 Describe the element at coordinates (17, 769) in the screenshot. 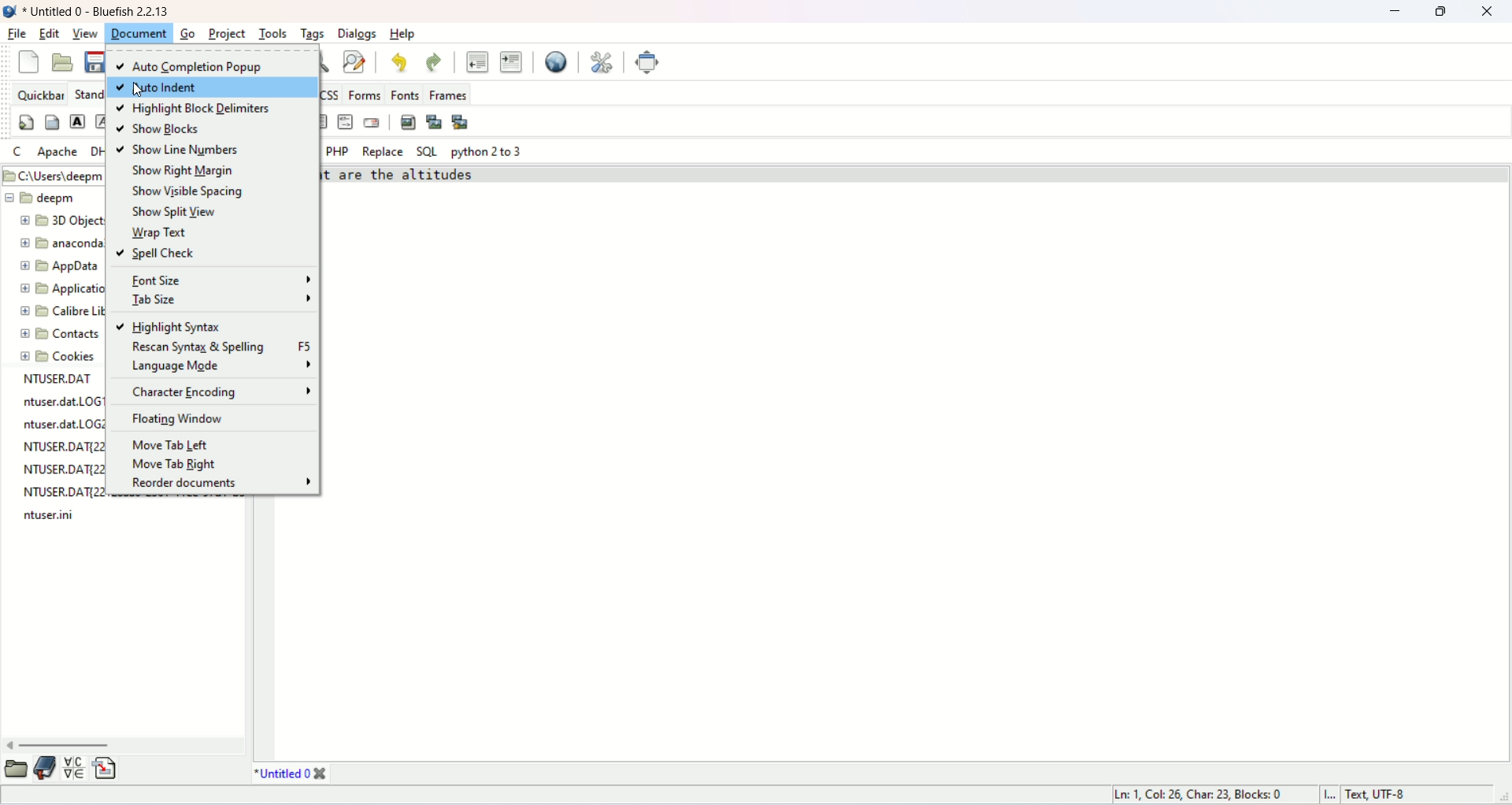

I see `open` at that location.